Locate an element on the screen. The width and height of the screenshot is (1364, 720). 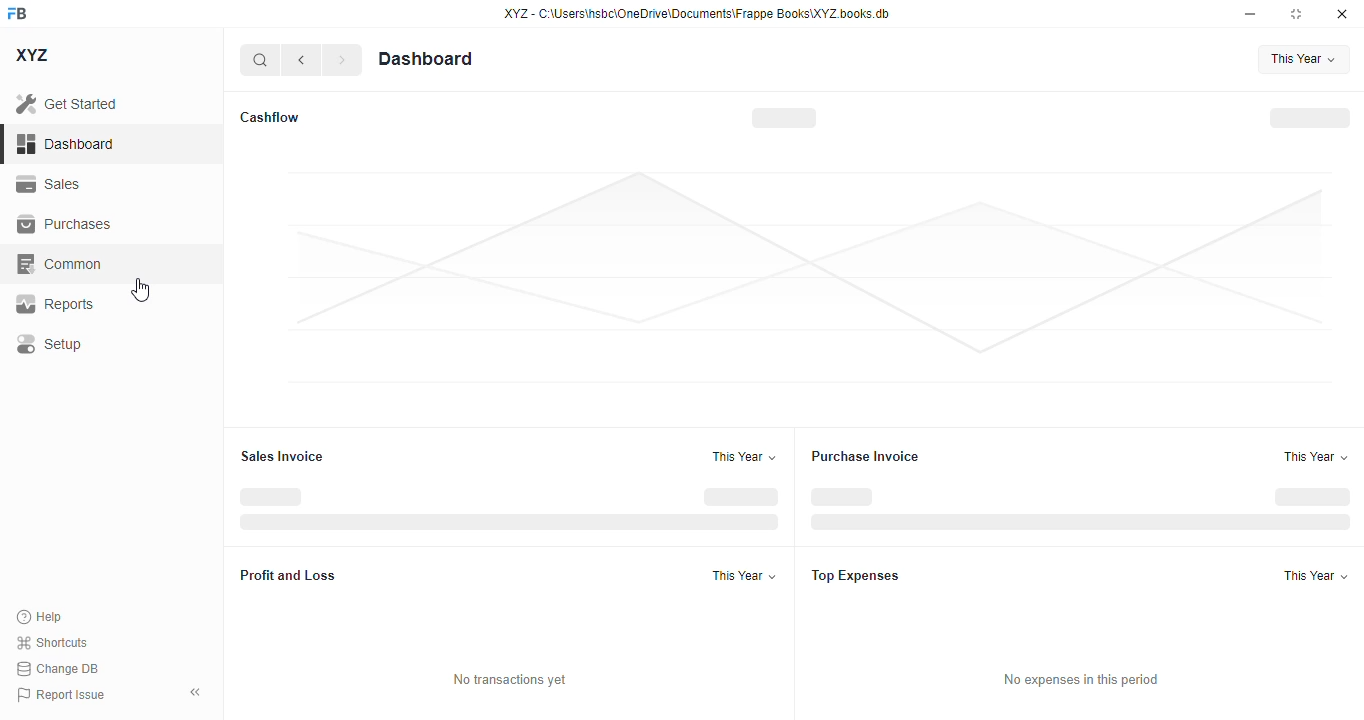
dashboard is located at coordinates (425, 58).